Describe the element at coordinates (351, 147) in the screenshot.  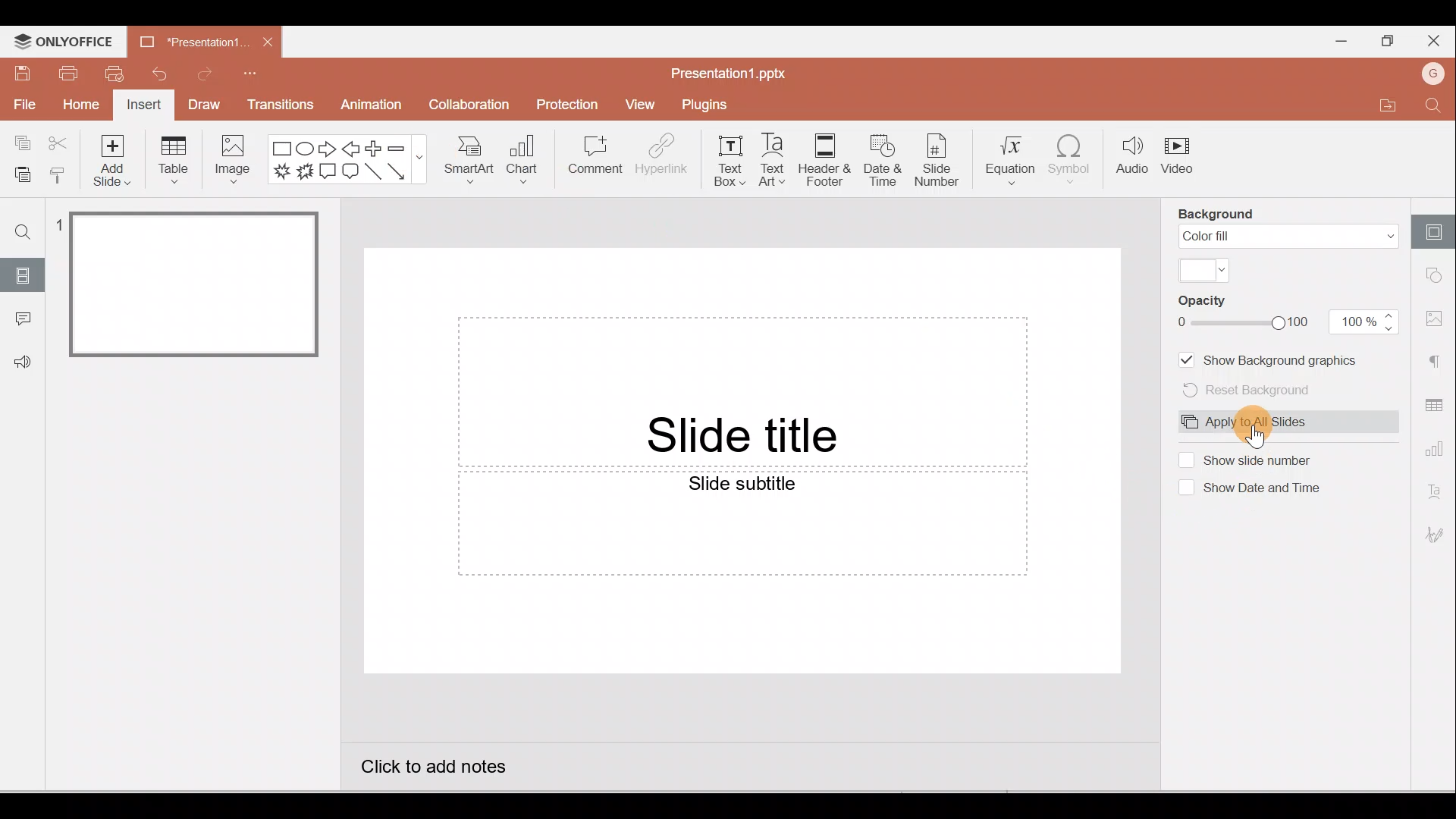
I see `Left arrow` at that location.